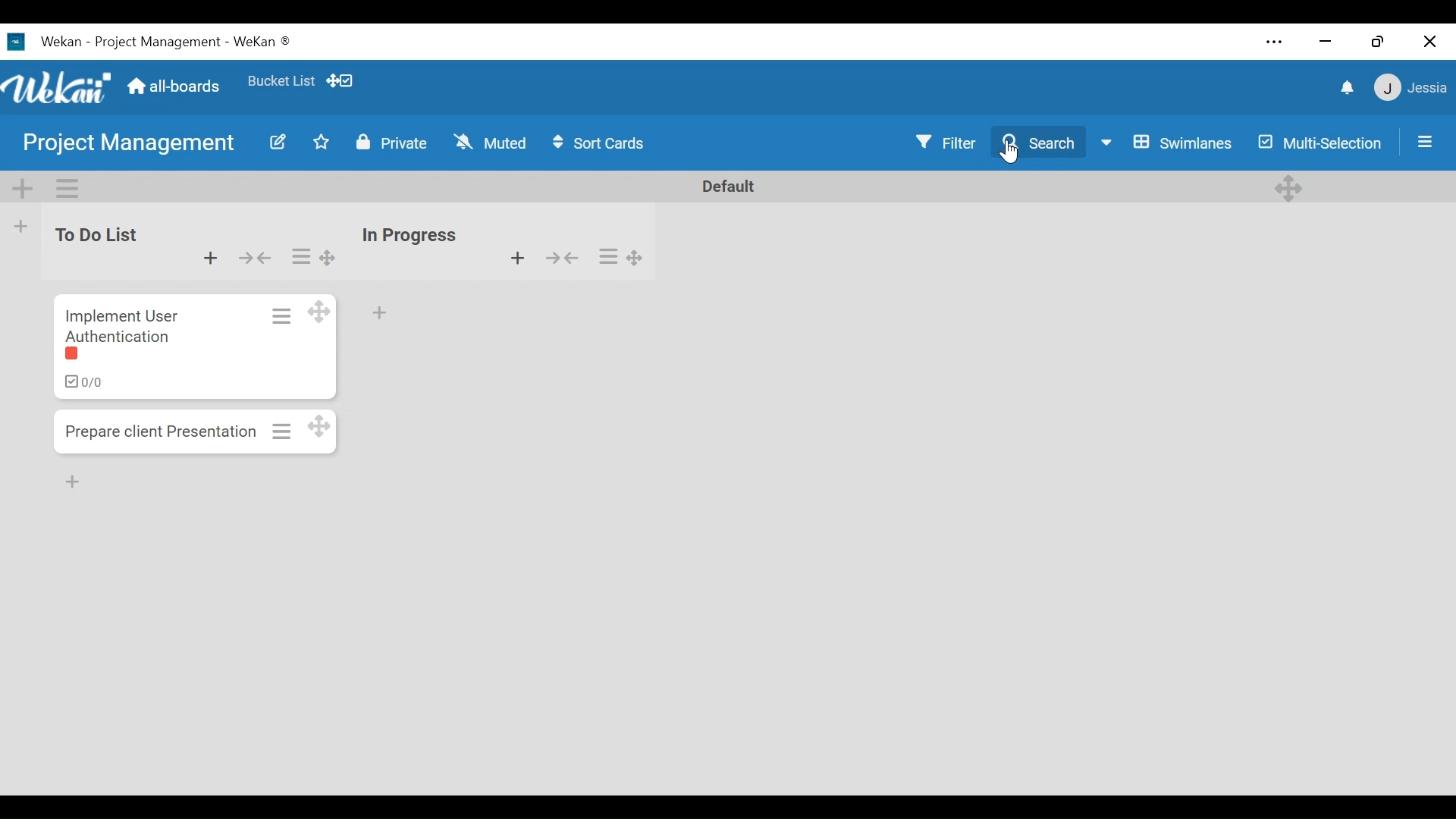 This screenshot has height=819, width=1456. Describe the element at coordinates (322, 312) in the screenshot. I see `Desktop drag handles` at that location.